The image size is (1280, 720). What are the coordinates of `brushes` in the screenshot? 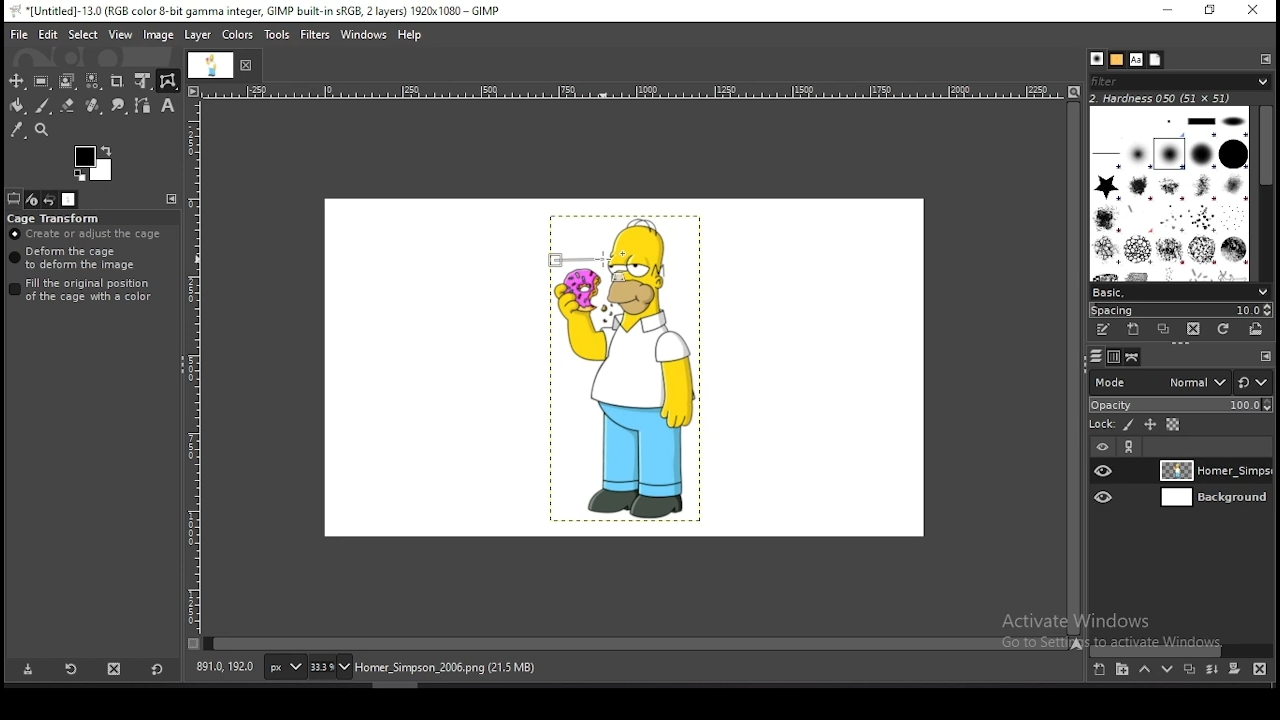 It's located at (1097, 60).